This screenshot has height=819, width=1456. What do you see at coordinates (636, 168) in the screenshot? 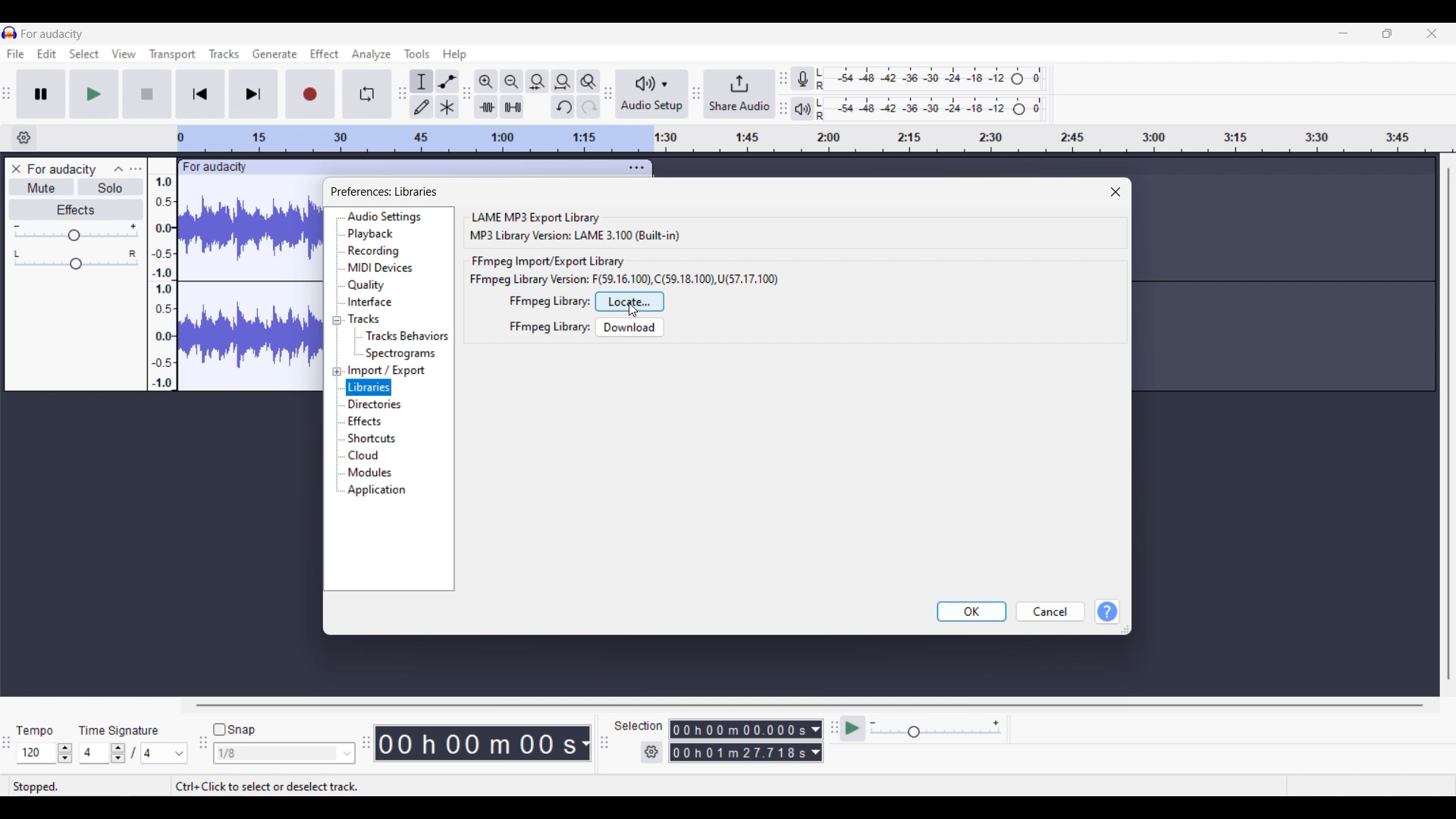
I see `Track settings` at bounding box center [636, 168].